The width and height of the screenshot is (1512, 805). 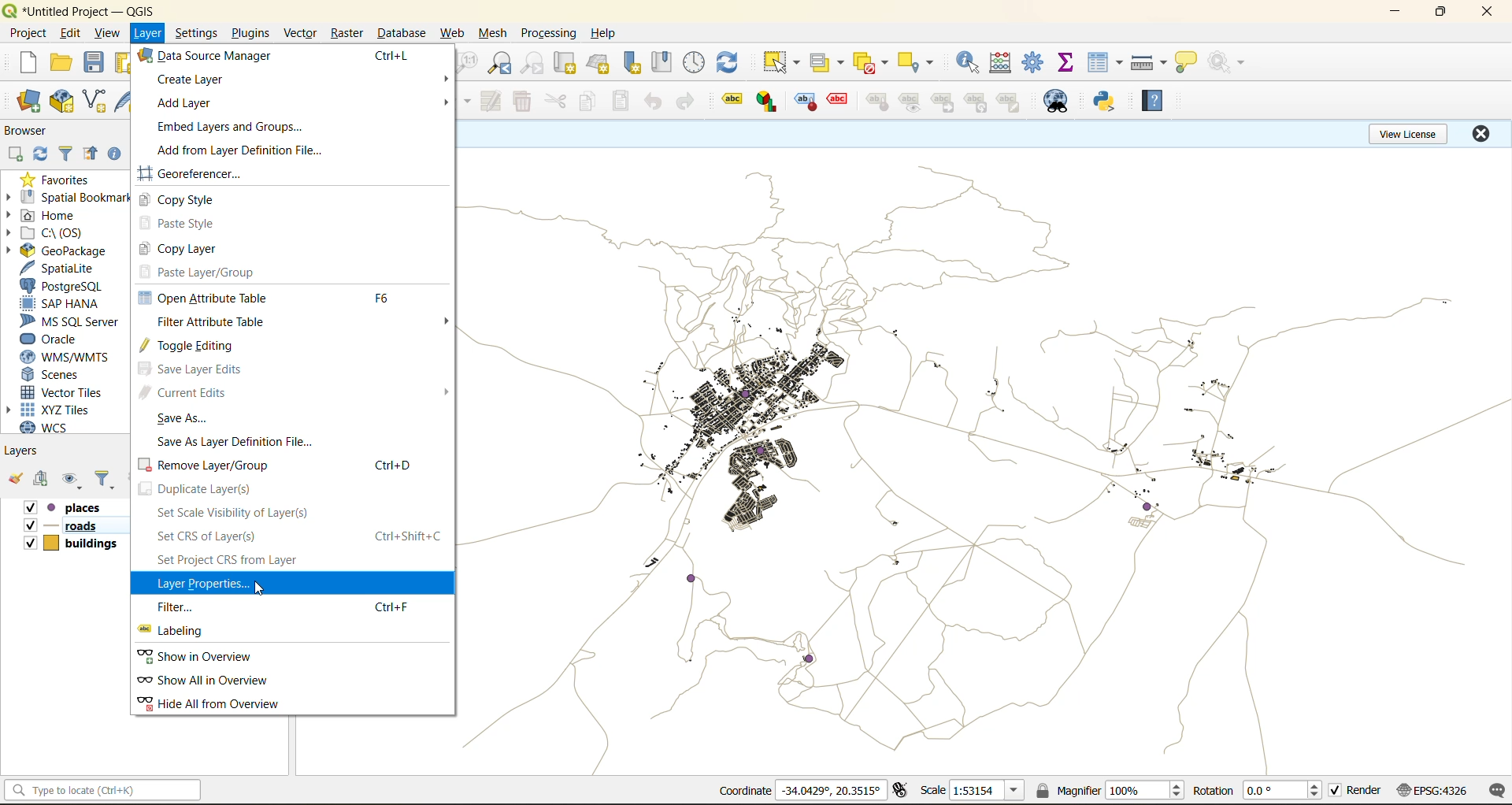 What do you see at coordinates (84, 10) in the screenshot?
I see `file name and app name` at bounding box center [84, 10].